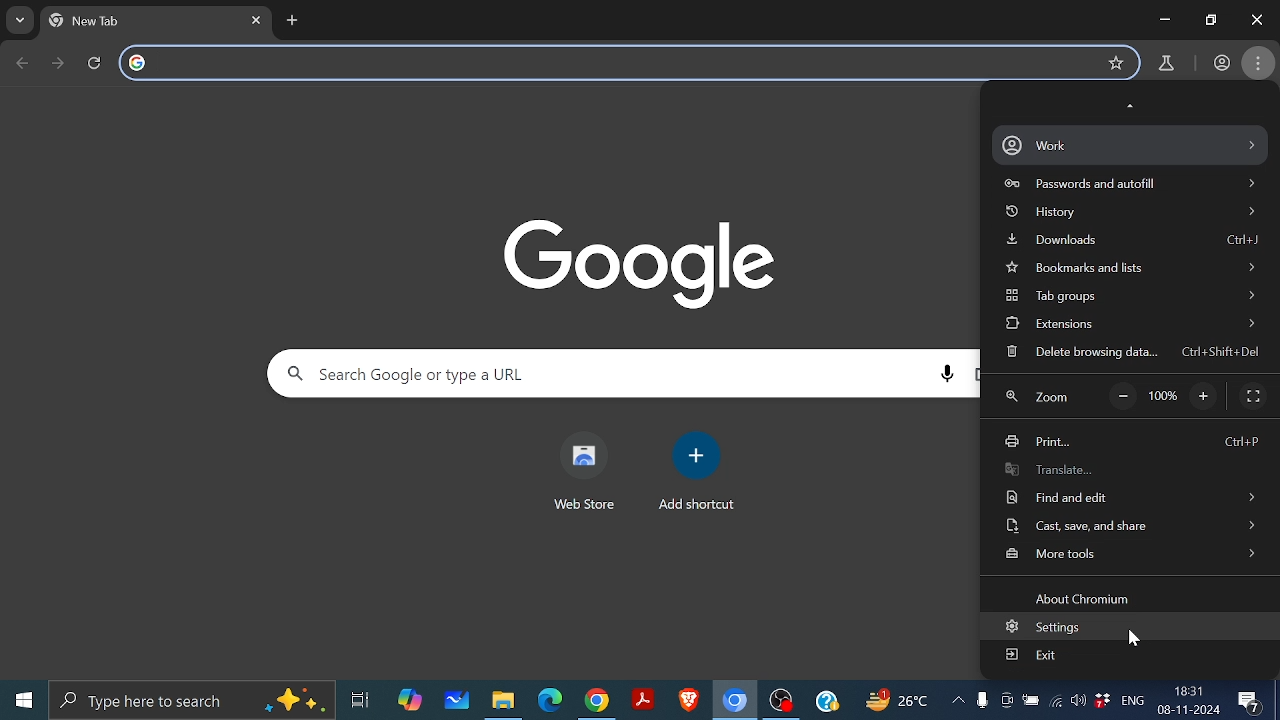  I want to click on Current tab, so click(142, 21).